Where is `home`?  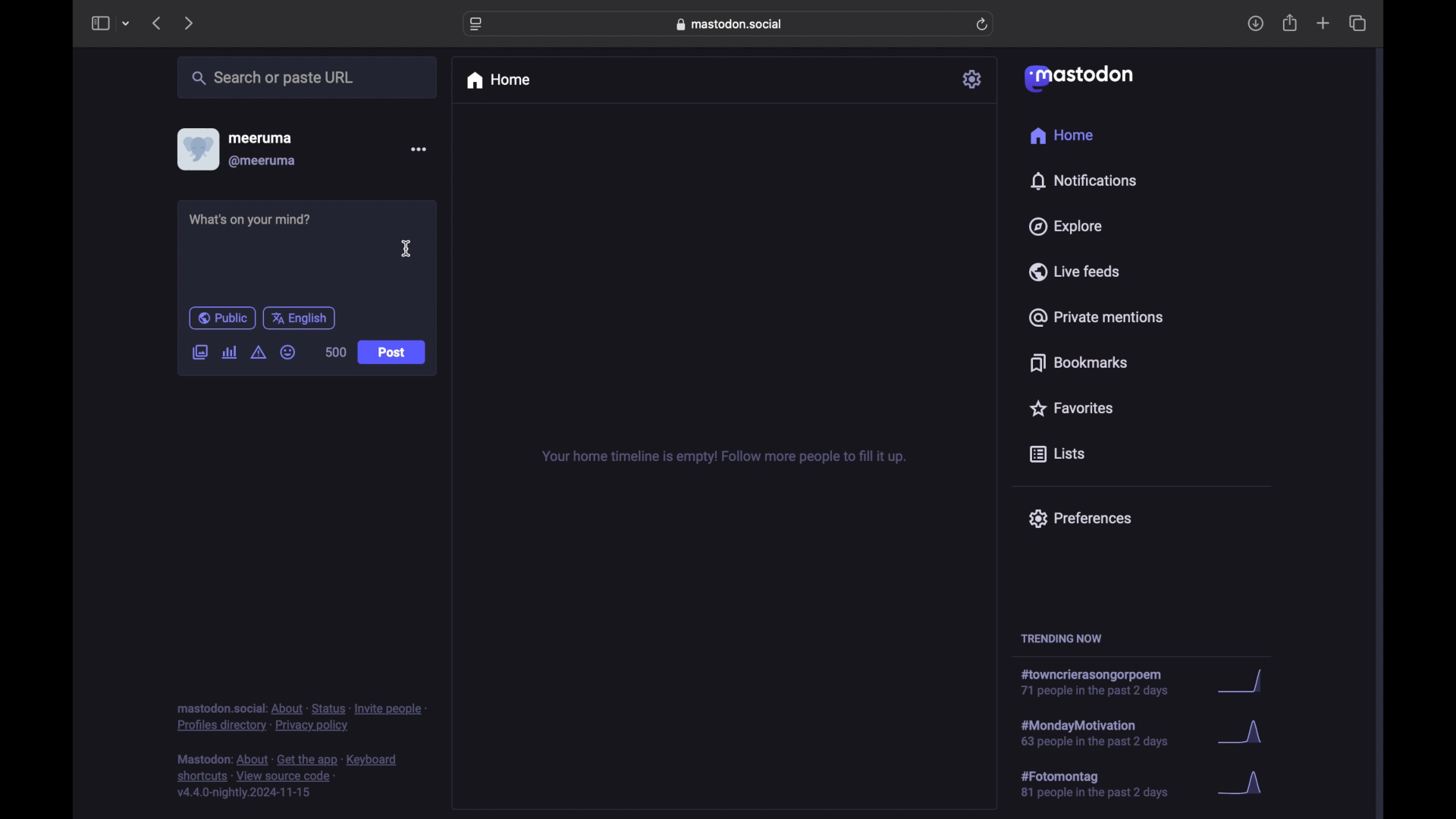 home is located at coordinates (497, 80).